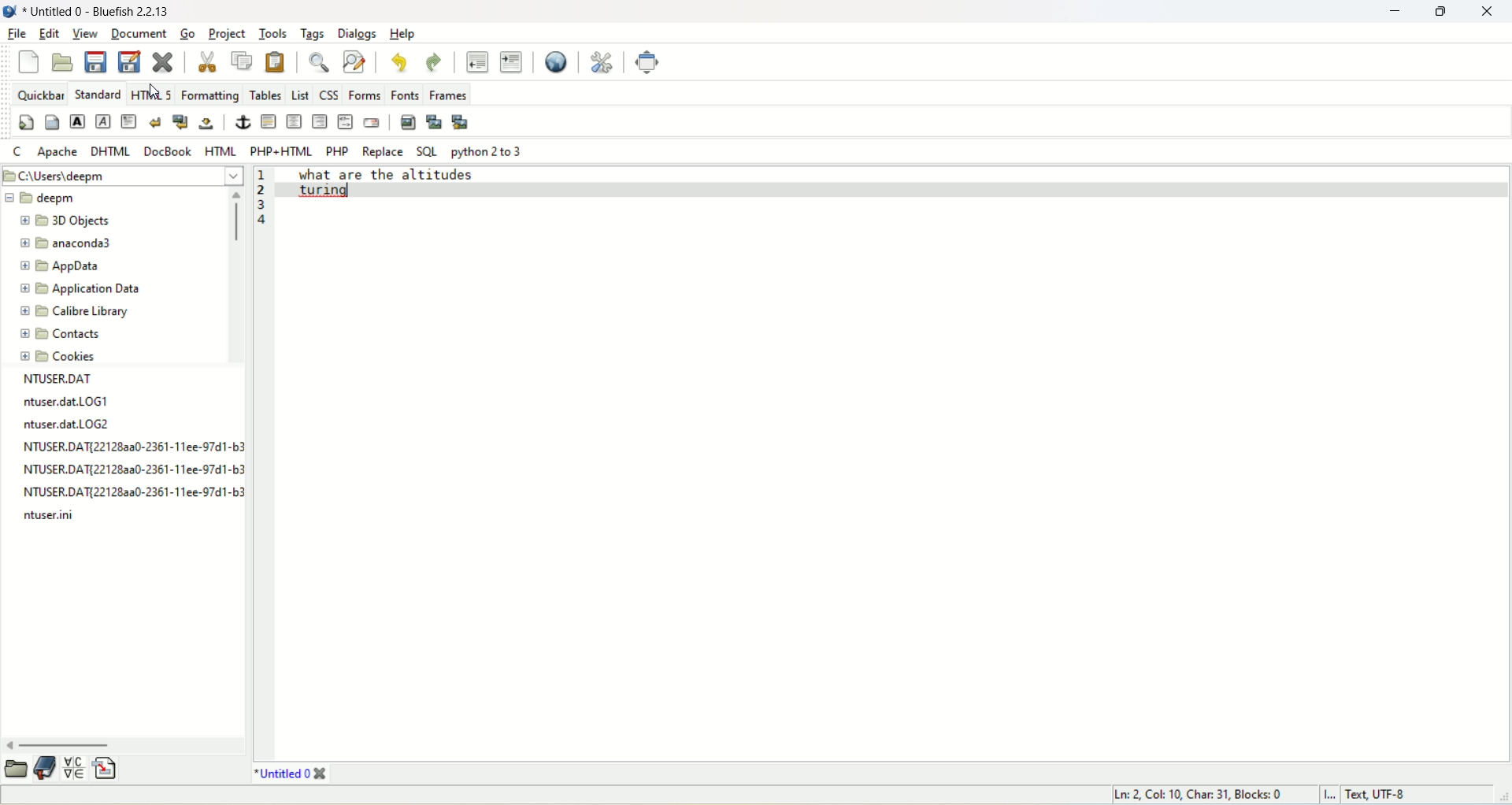 The height and width of the screenshot is (805, 1512). What do you see at coordinates (403, 93) in the screenshot?
I see `fonts` at bounding box center [403, 93].